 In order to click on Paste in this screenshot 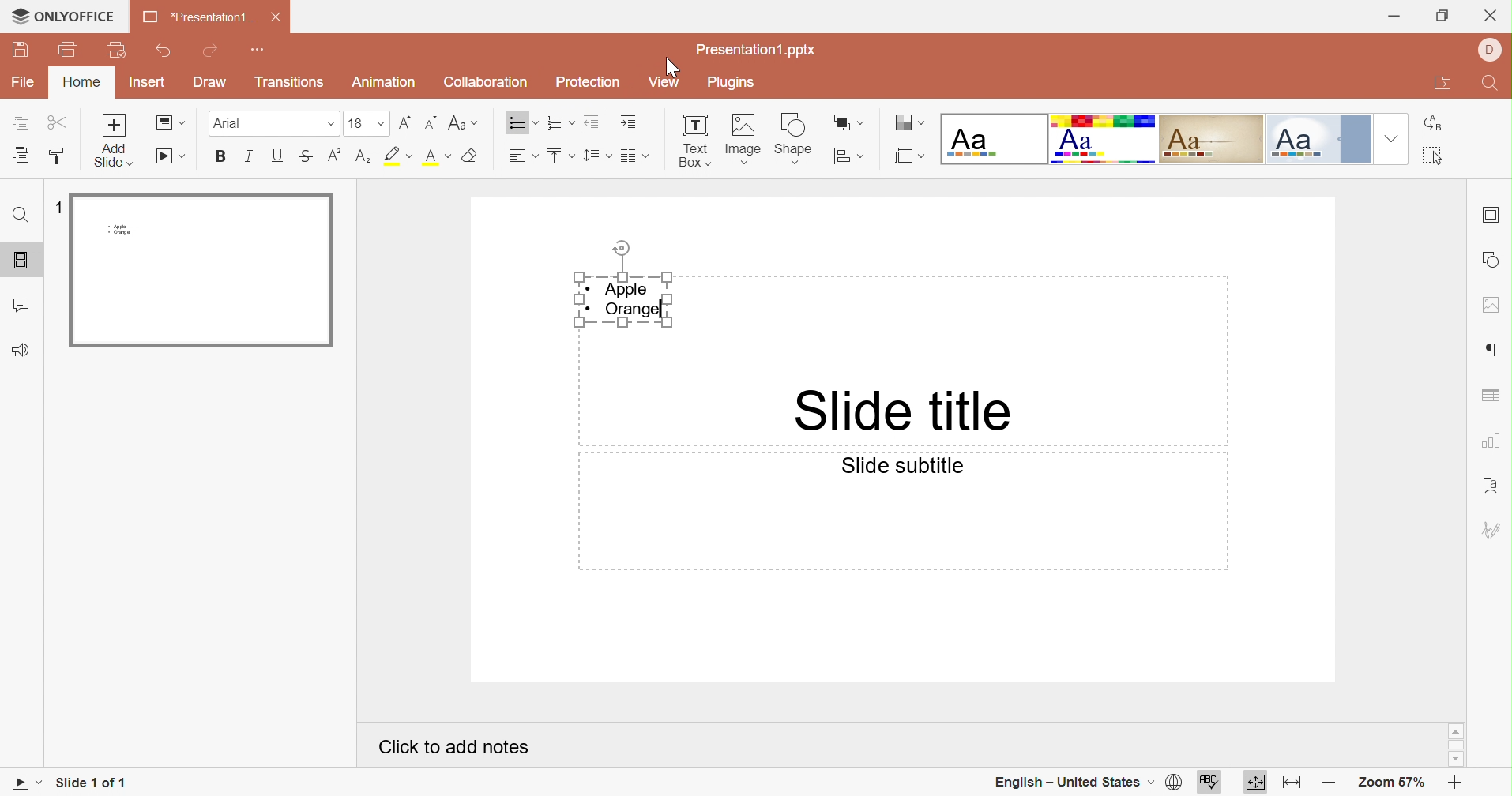, I will do `click(21, 157)`.